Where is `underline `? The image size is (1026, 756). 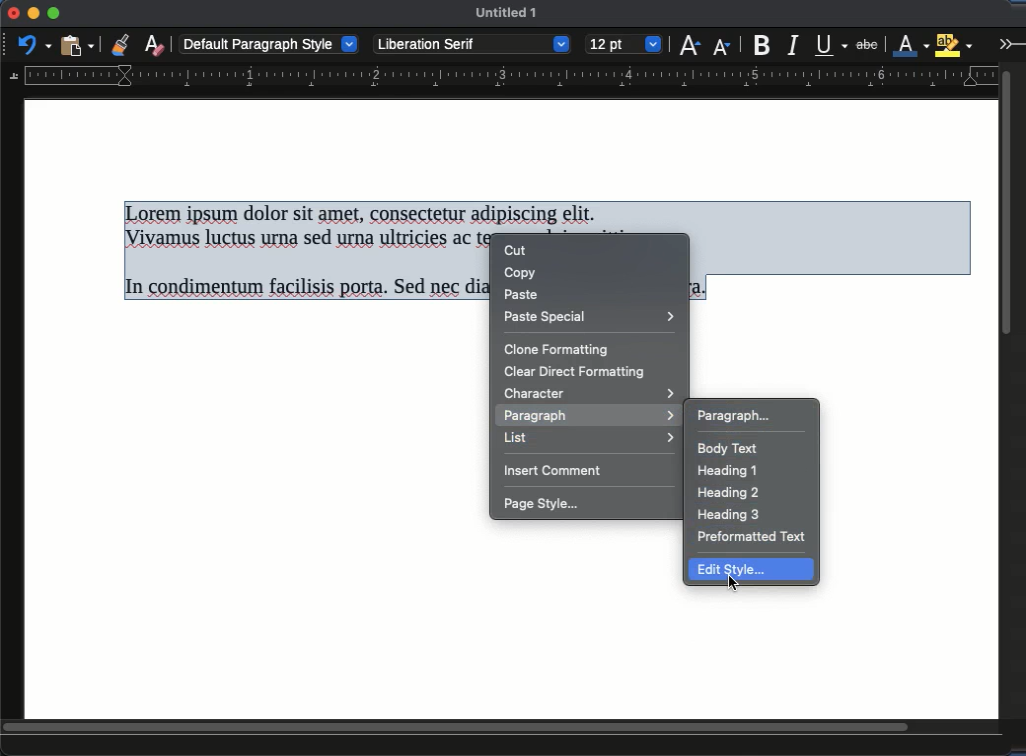
underline  is located at coordinates (832, 45).